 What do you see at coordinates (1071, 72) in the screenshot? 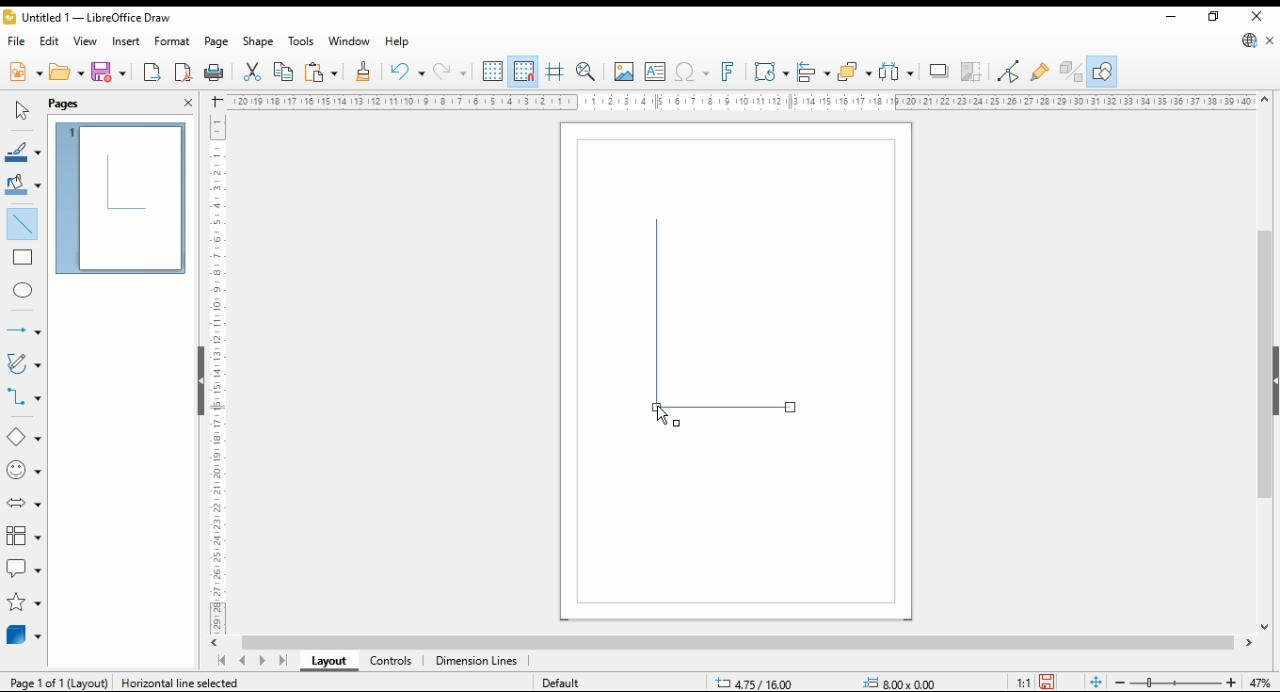
I see `toggle extrusions` at bounding box center [1071, 72].